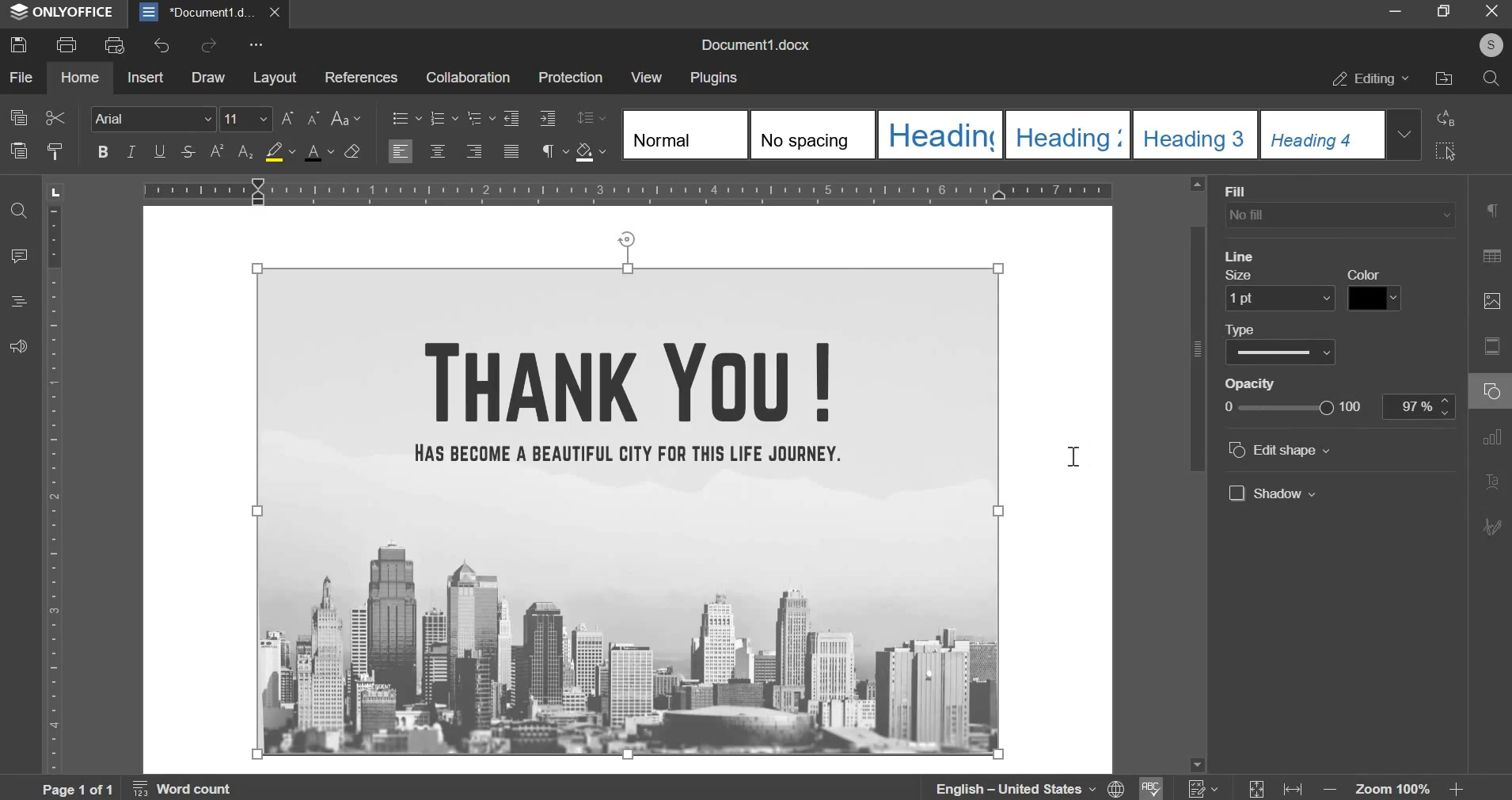 This screenshot has width=1512, height=800. Describe the element at coordinates (1195, 471) in the screenshot. I see `scrollbar` at that location.